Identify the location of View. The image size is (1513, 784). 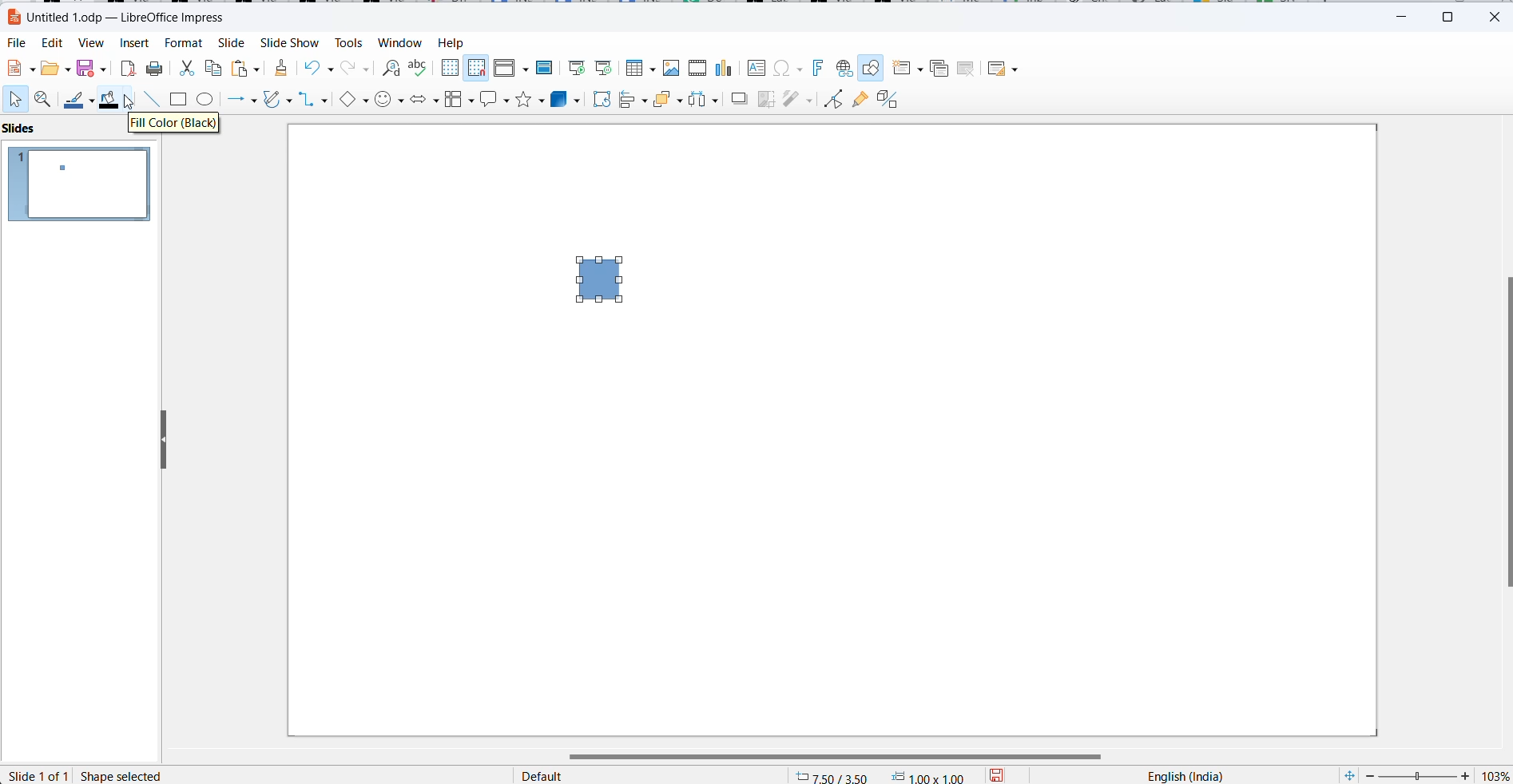
(91, 44).